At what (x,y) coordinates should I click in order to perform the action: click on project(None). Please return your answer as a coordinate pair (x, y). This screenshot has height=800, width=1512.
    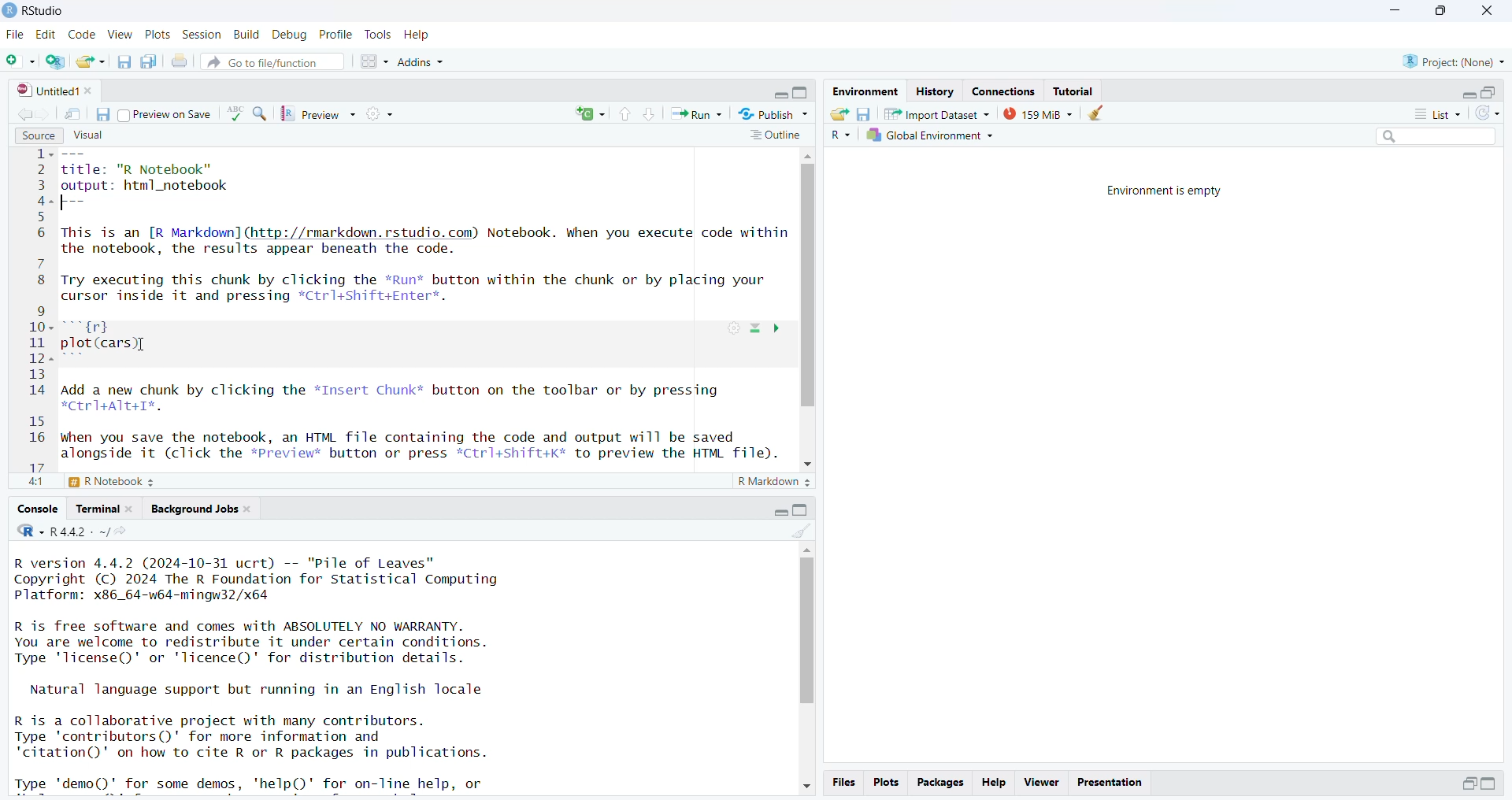
    Looking at the image, I should click on (1453, 62).